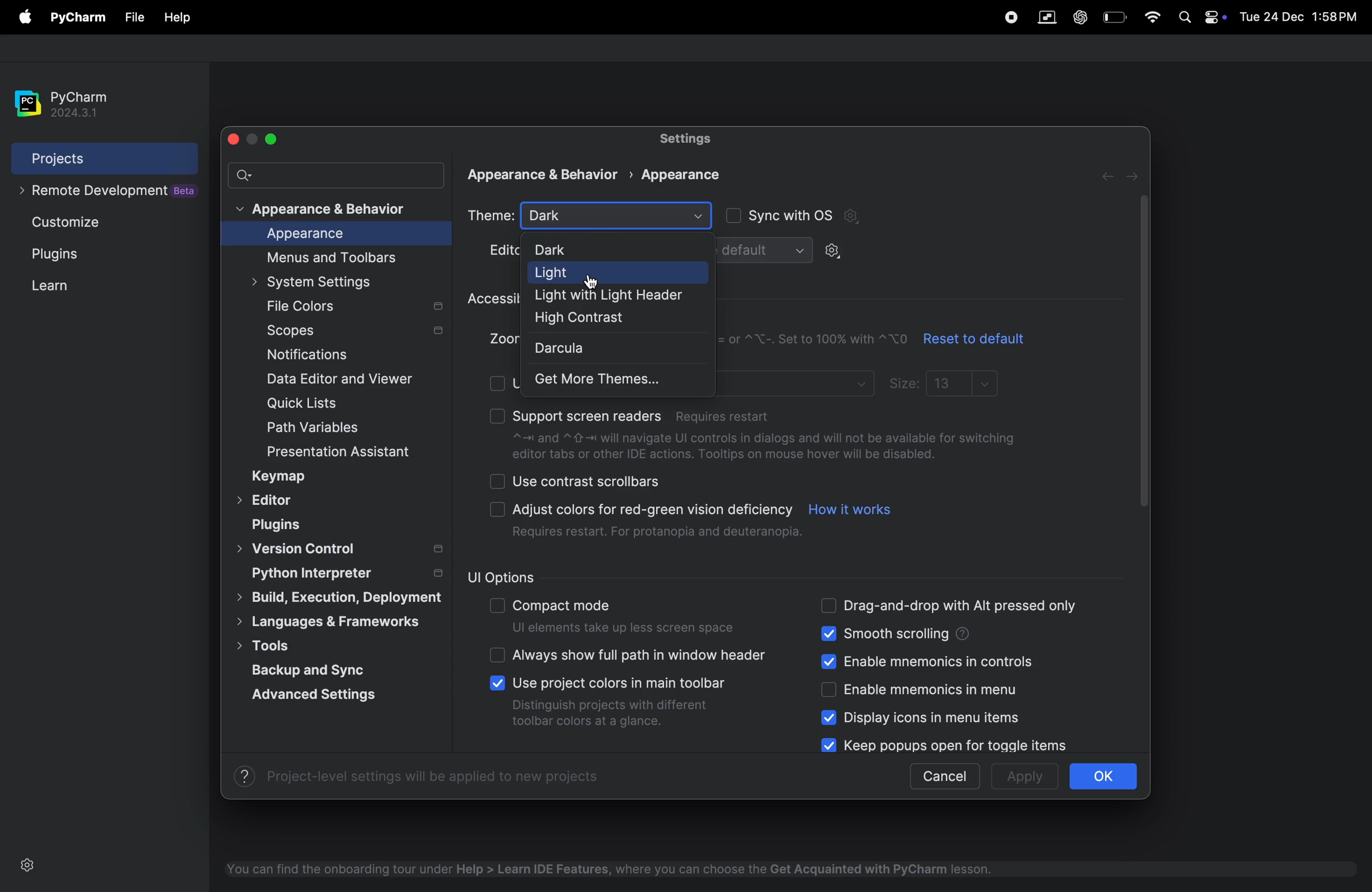  I want to click on Edit, so click(493, 250).